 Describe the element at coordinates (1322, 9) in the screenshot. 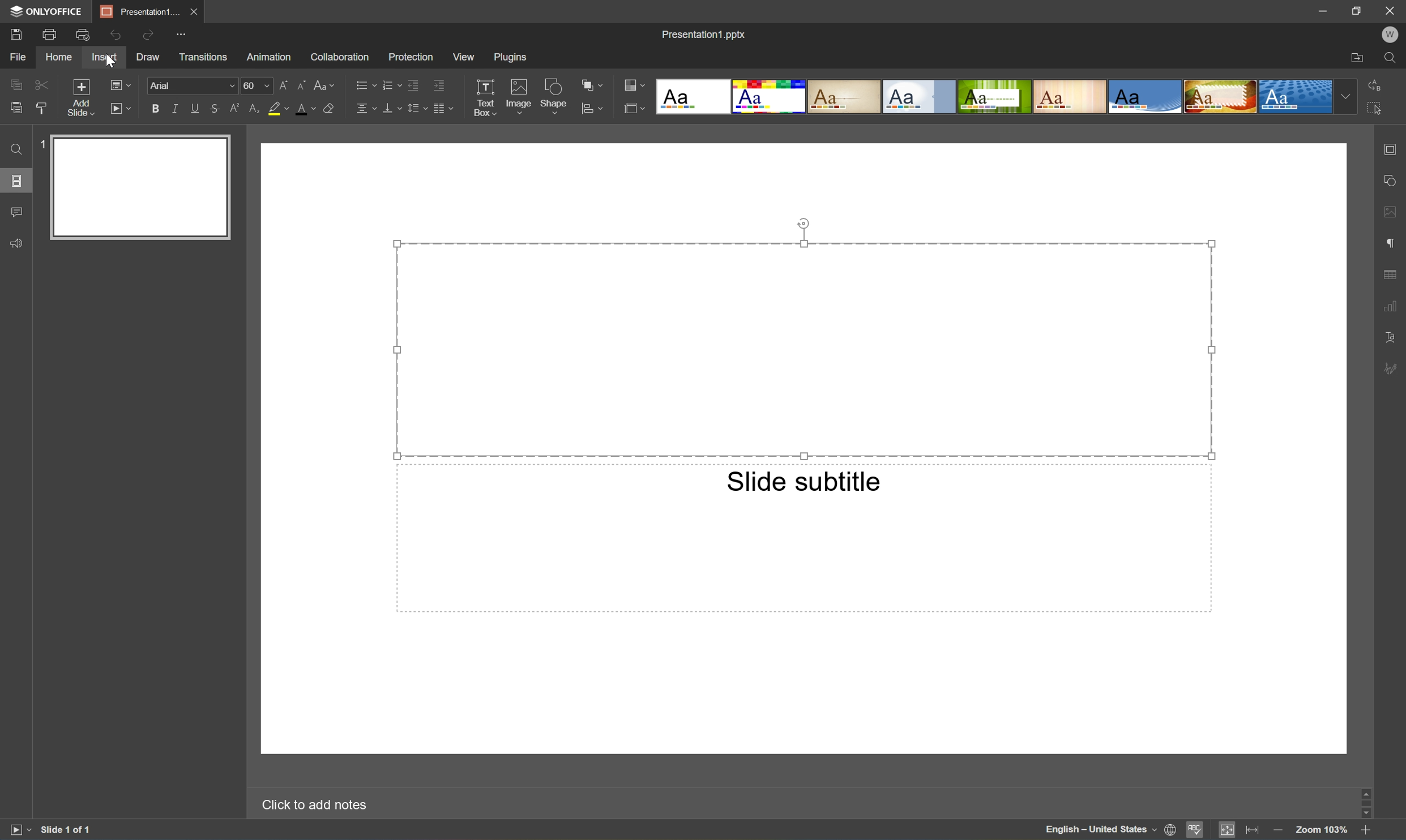

I see `Minimize` at that location.